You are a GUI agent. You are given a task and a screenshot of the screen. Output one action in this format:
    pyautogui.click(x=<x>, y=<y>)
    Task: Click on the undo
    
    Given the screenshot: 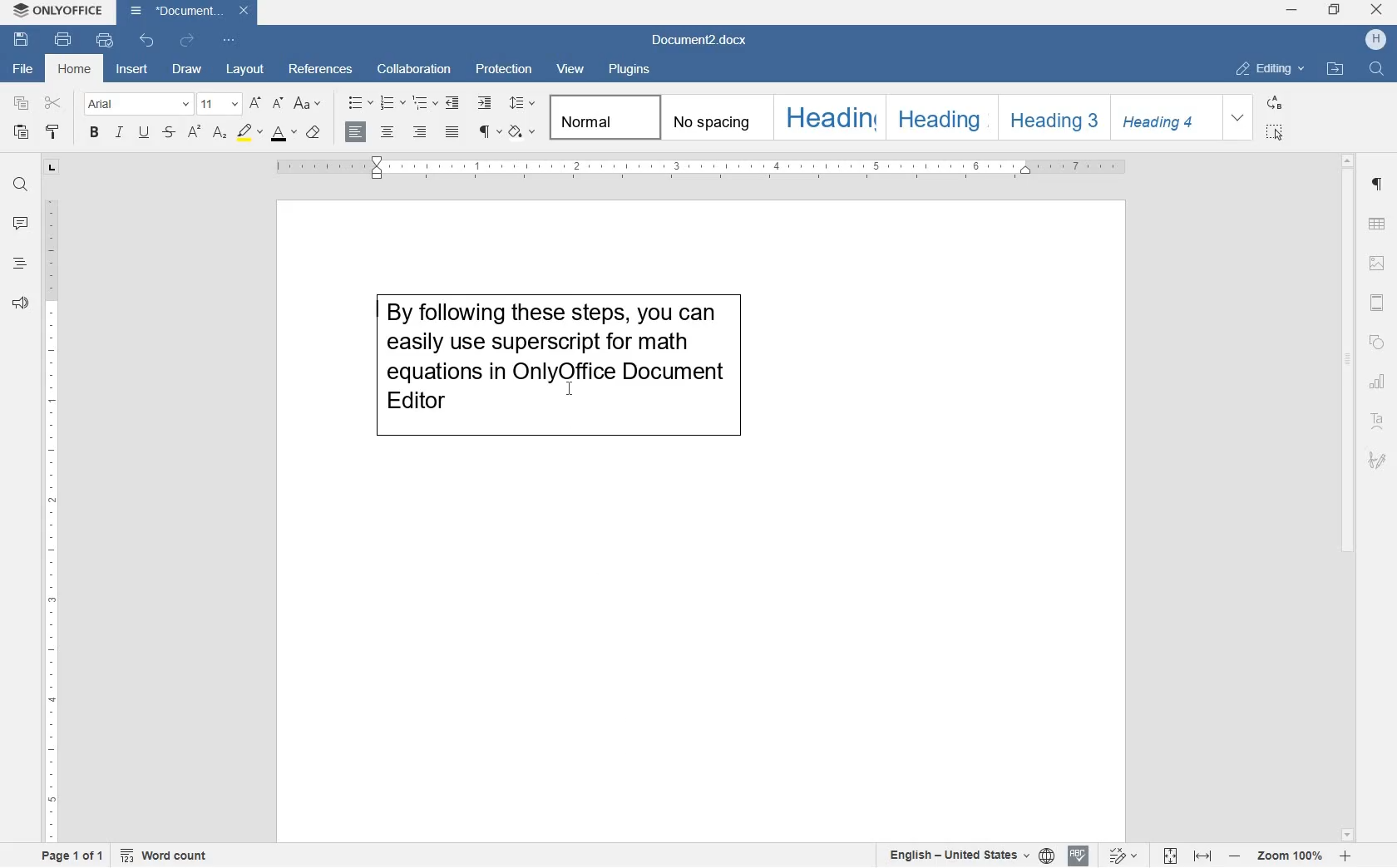 What is the action you would take?
    pyautogui.click(x=148, y=41)
    